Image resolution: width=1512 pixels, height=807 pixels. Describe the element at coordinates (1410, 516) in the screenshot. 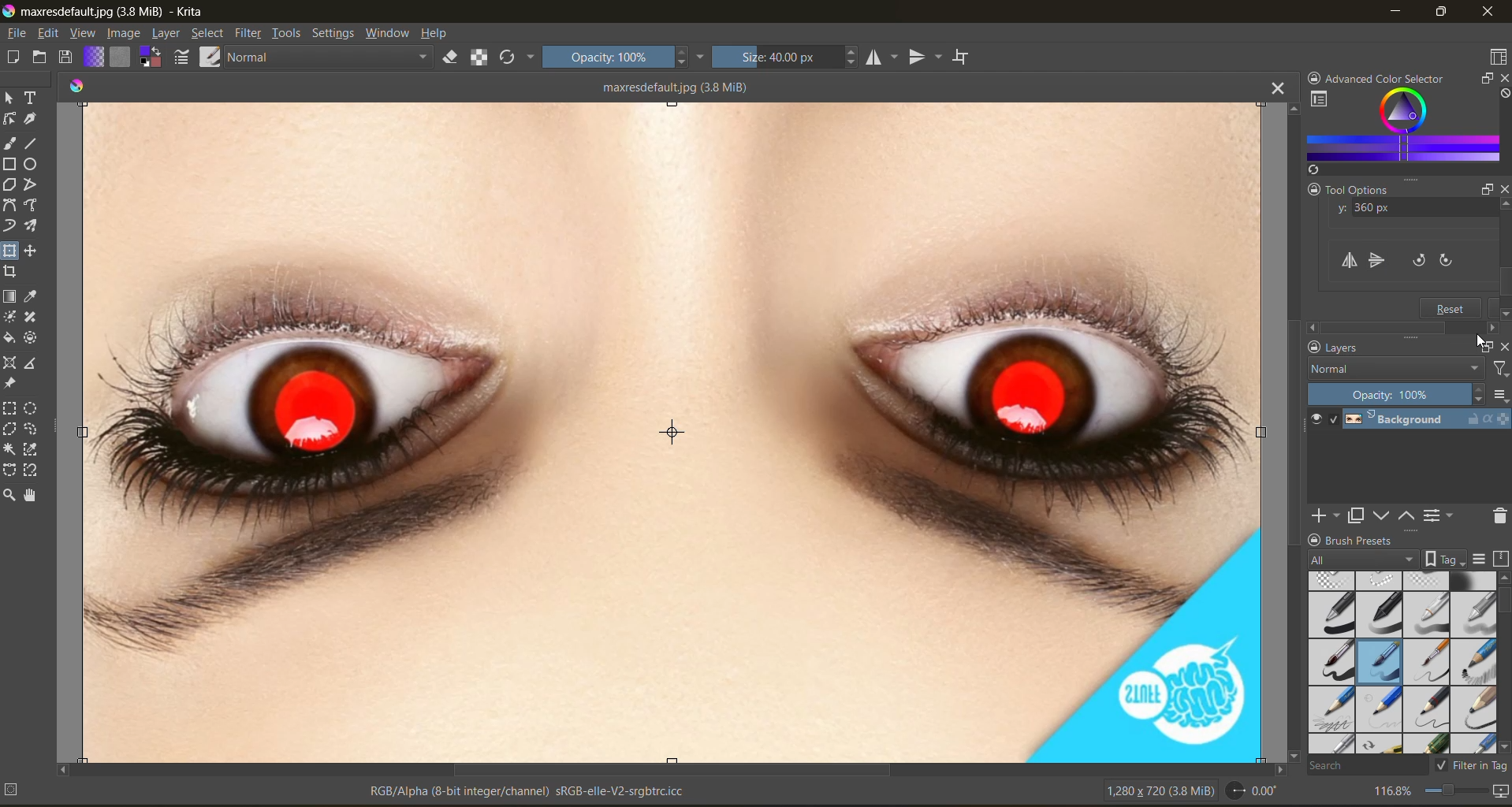

I see `mask up` at that location.